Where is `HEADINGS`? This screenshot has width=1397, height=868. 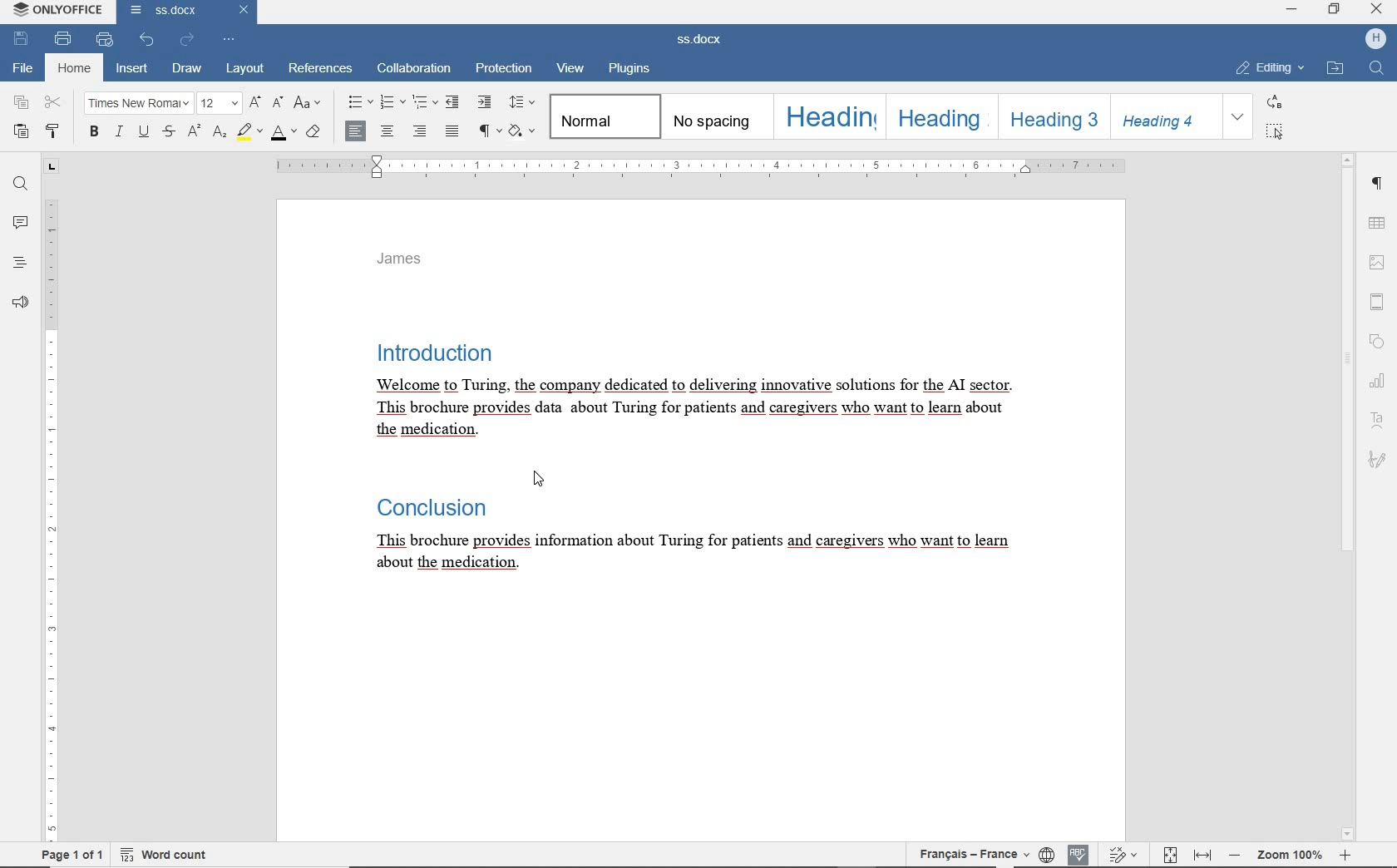
HEADINGS is located at coordinates (19, 264).